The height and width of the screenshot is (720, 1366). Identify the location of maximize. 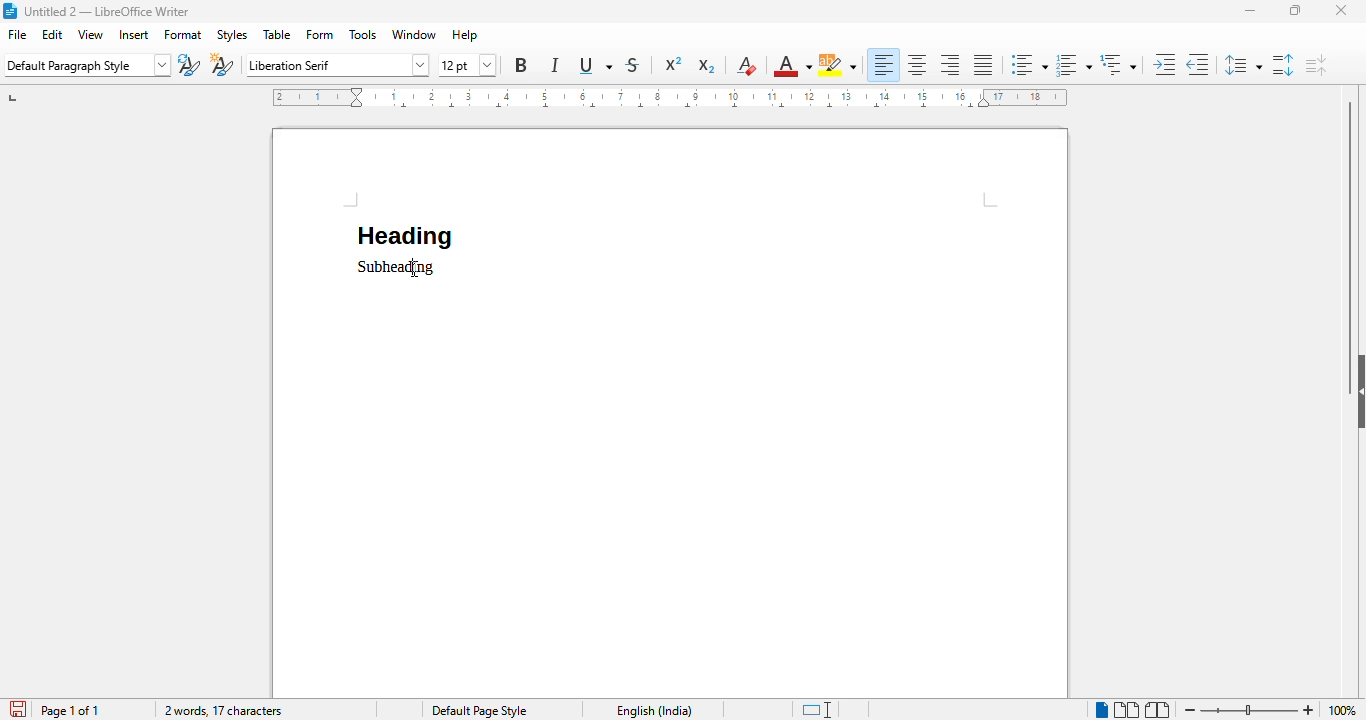
(1297, 9).